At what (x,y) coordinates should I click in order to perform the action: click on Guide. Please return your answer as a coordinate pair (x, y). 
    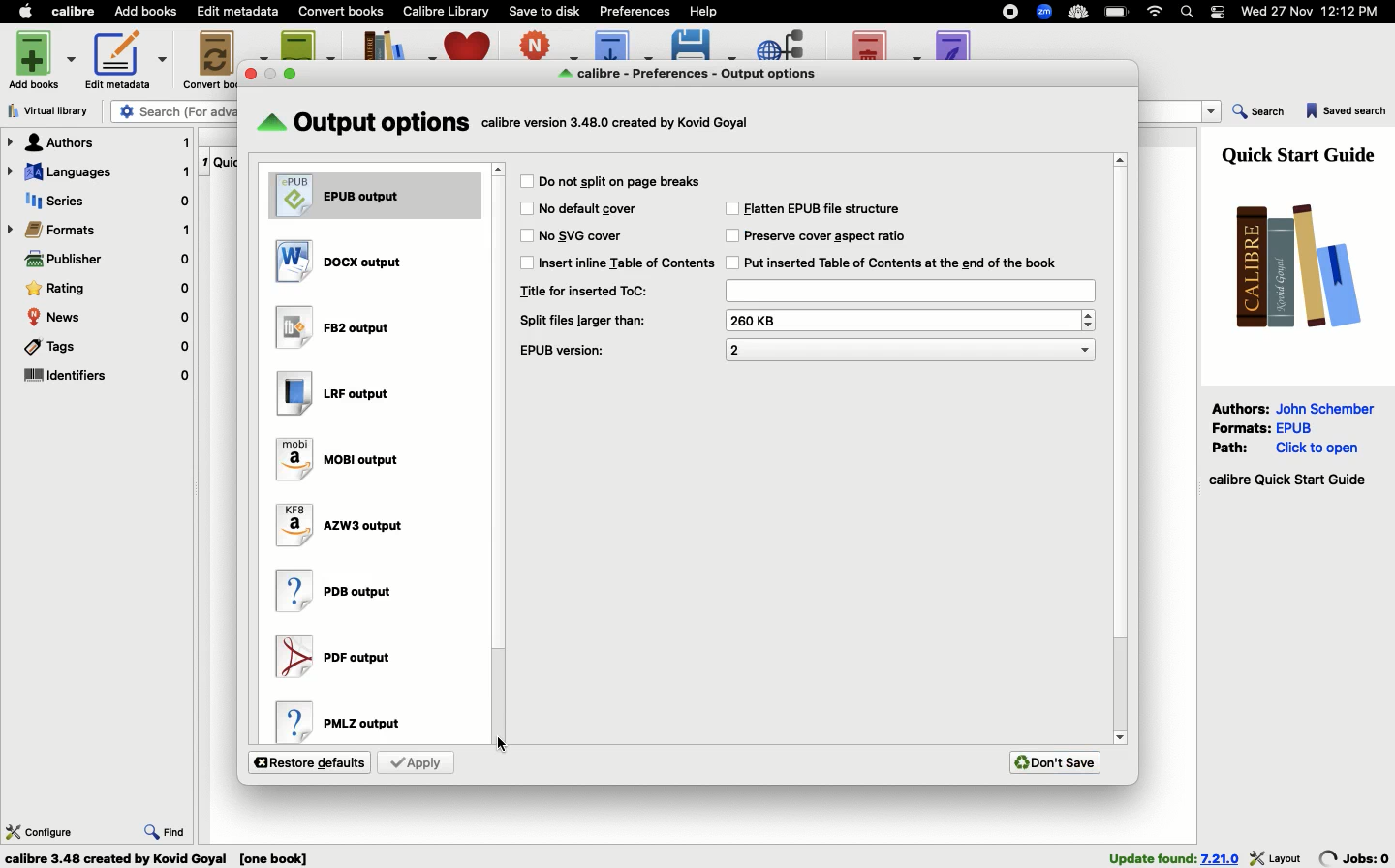
    Looking at the image, I should click on (1303, 153).